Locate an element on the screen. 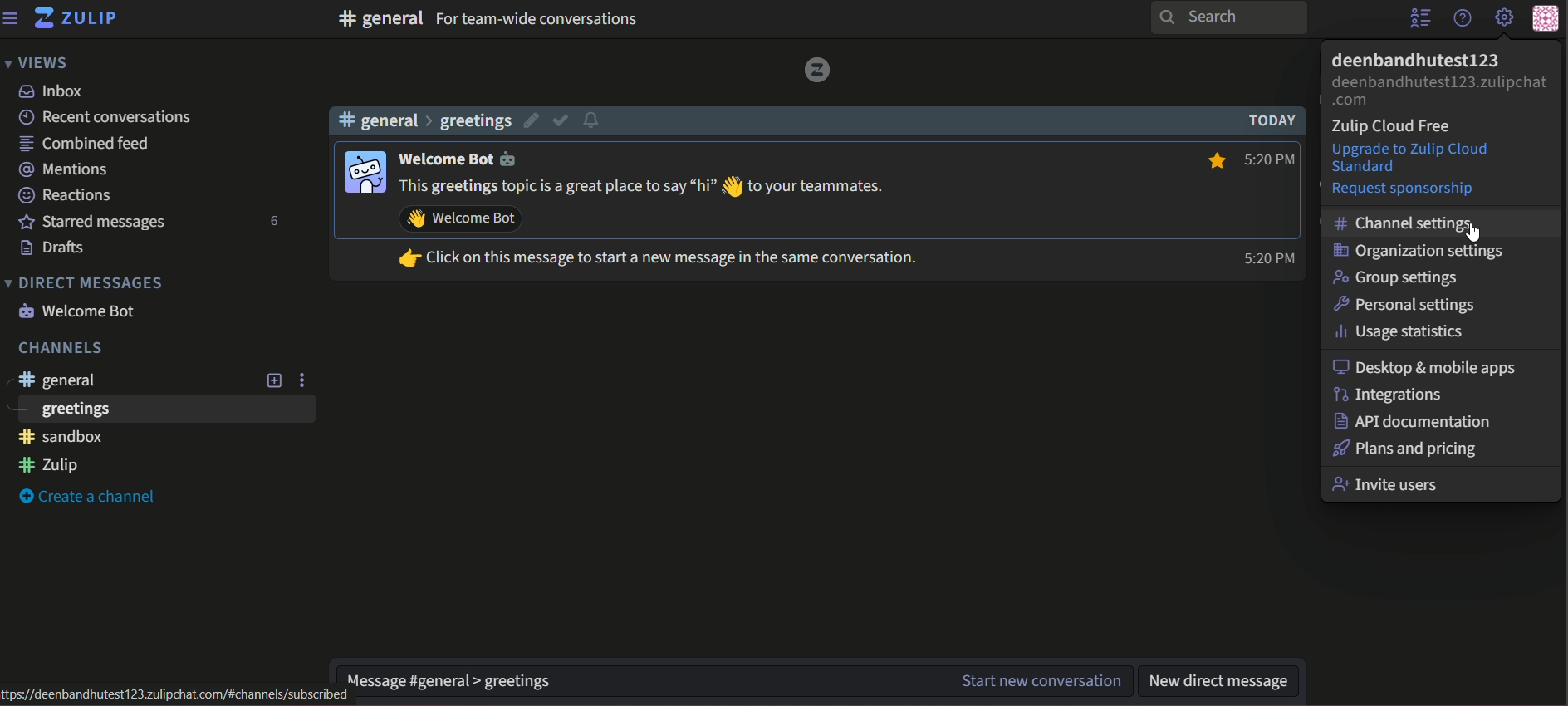 The width and height of the screenshot is (1568, 706). plans and pricing is located at coordinates (1407, 449).